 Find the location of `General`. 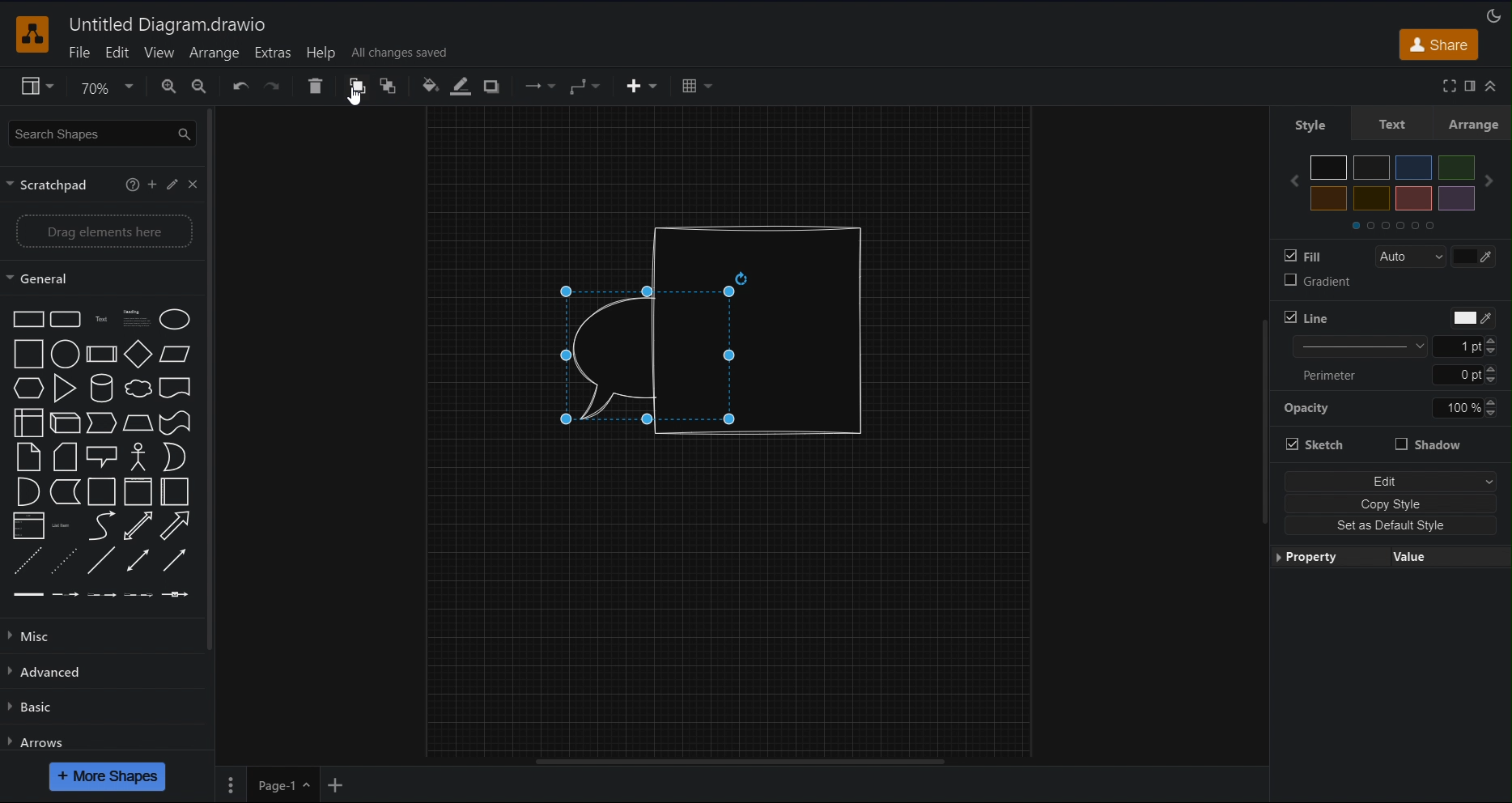

General is located at coordinates (100, 278).